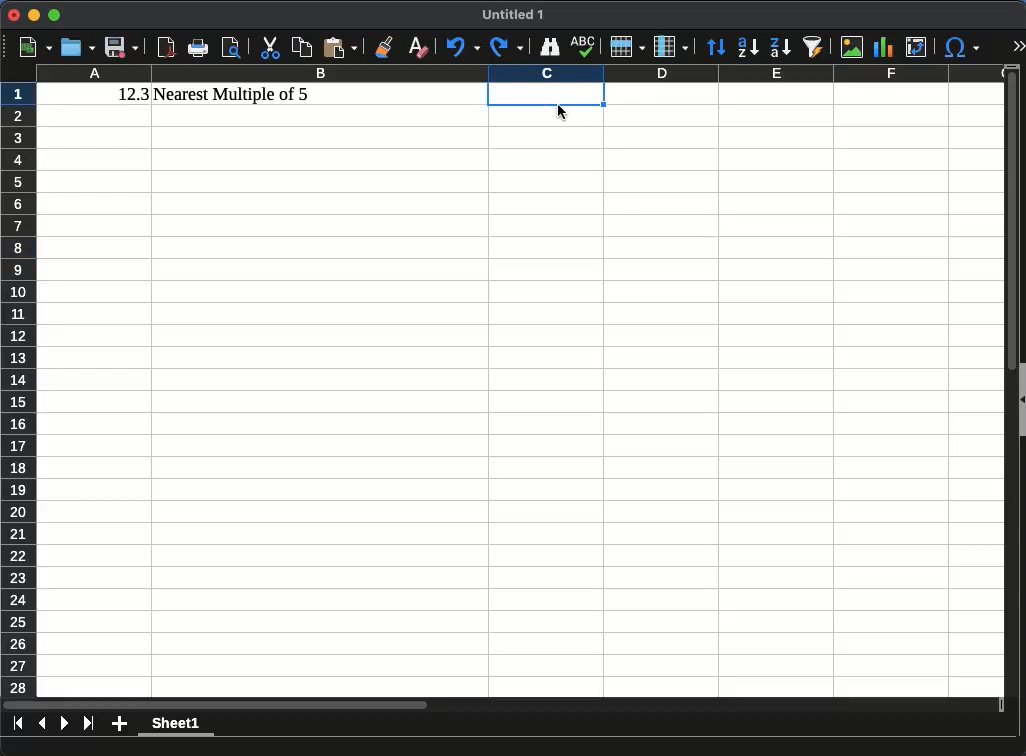 This screenshot has width=1026, height=756. Describe the element at coordinates (506, 48) in the screenshot. I see `redo` at that location.